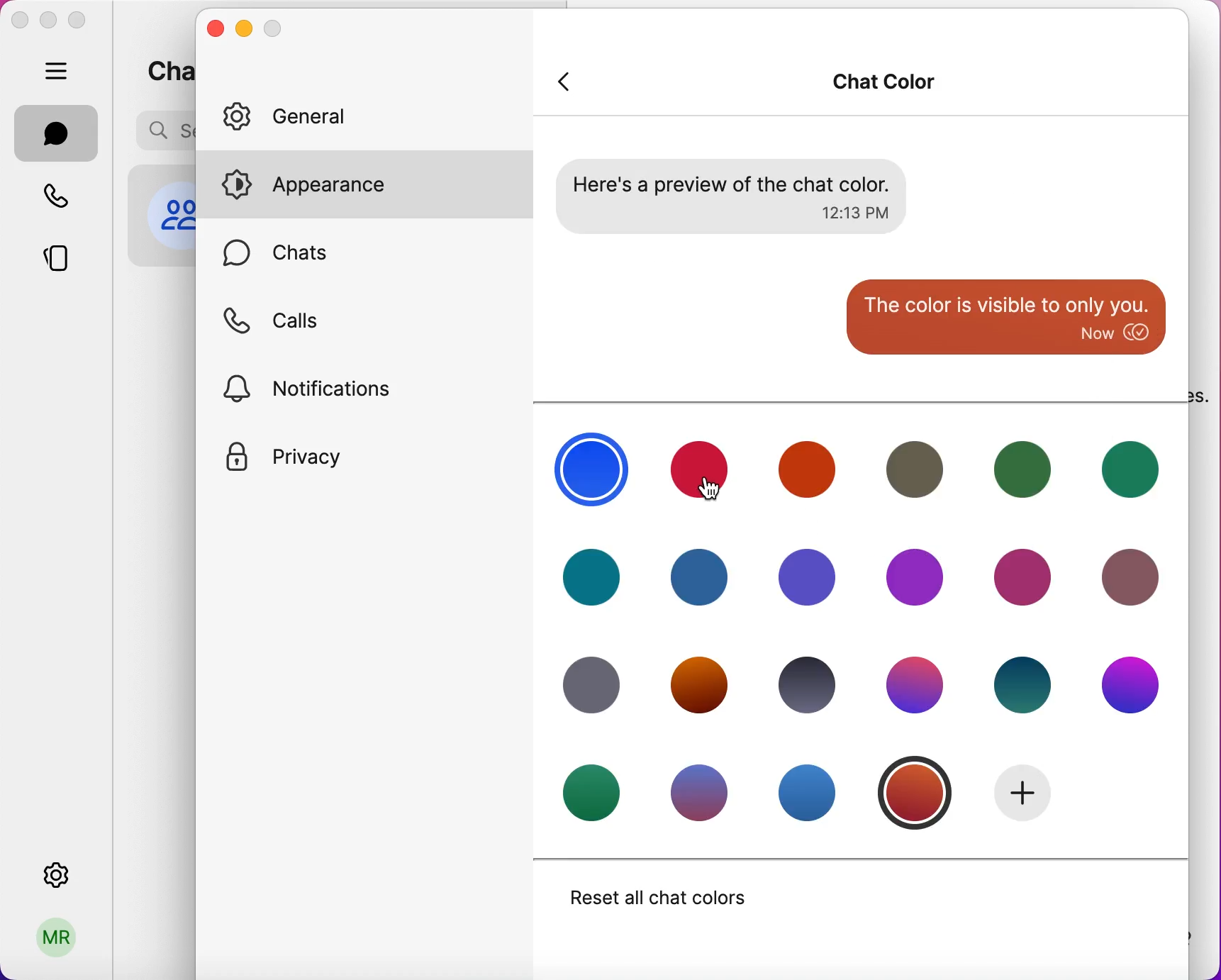 The image size is (1221, 980). I want to click on cursor, so click(709, 491).